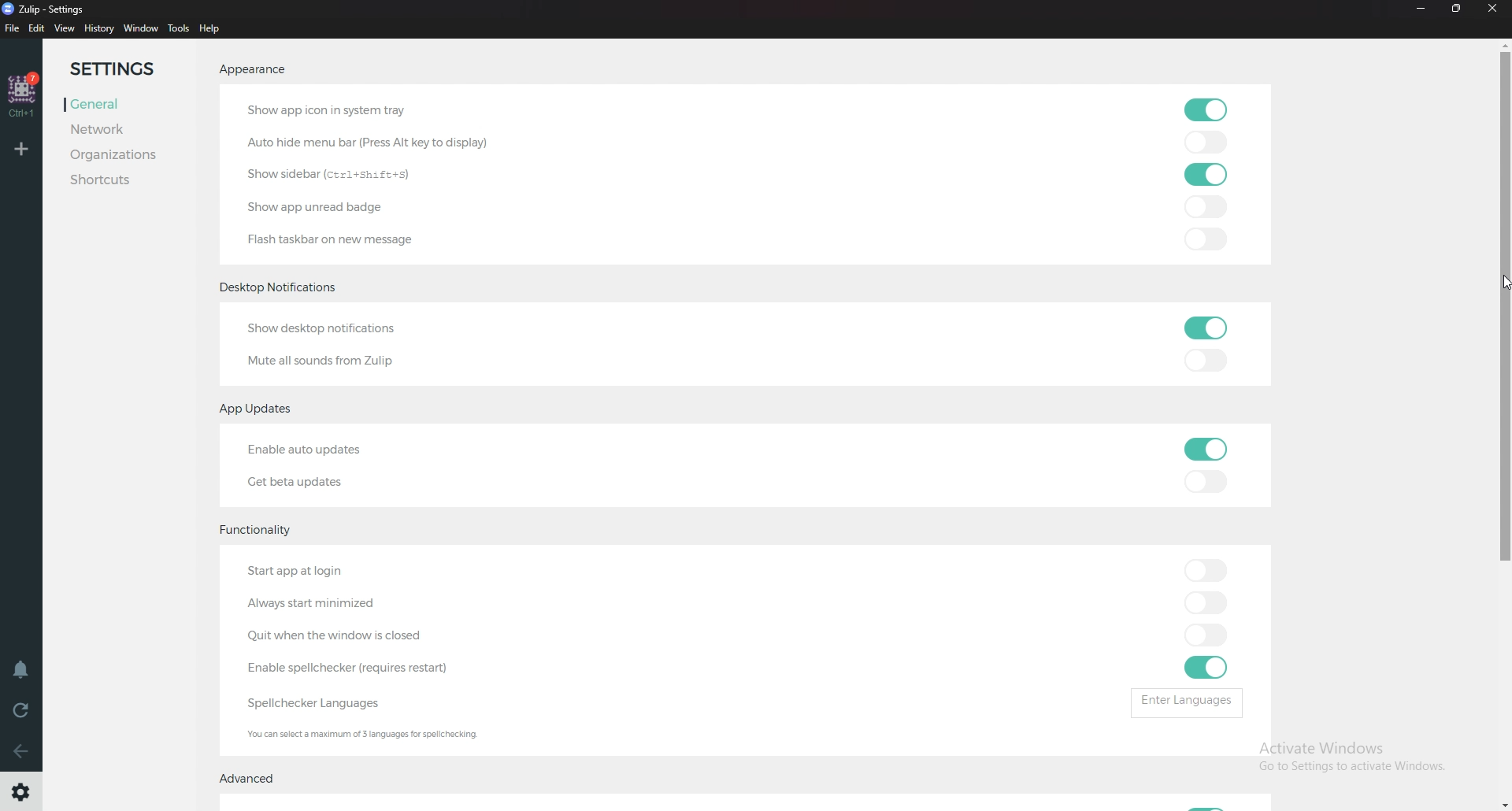 The image size is (1512, 811). I want to click on Functionality, so click(262, 531).